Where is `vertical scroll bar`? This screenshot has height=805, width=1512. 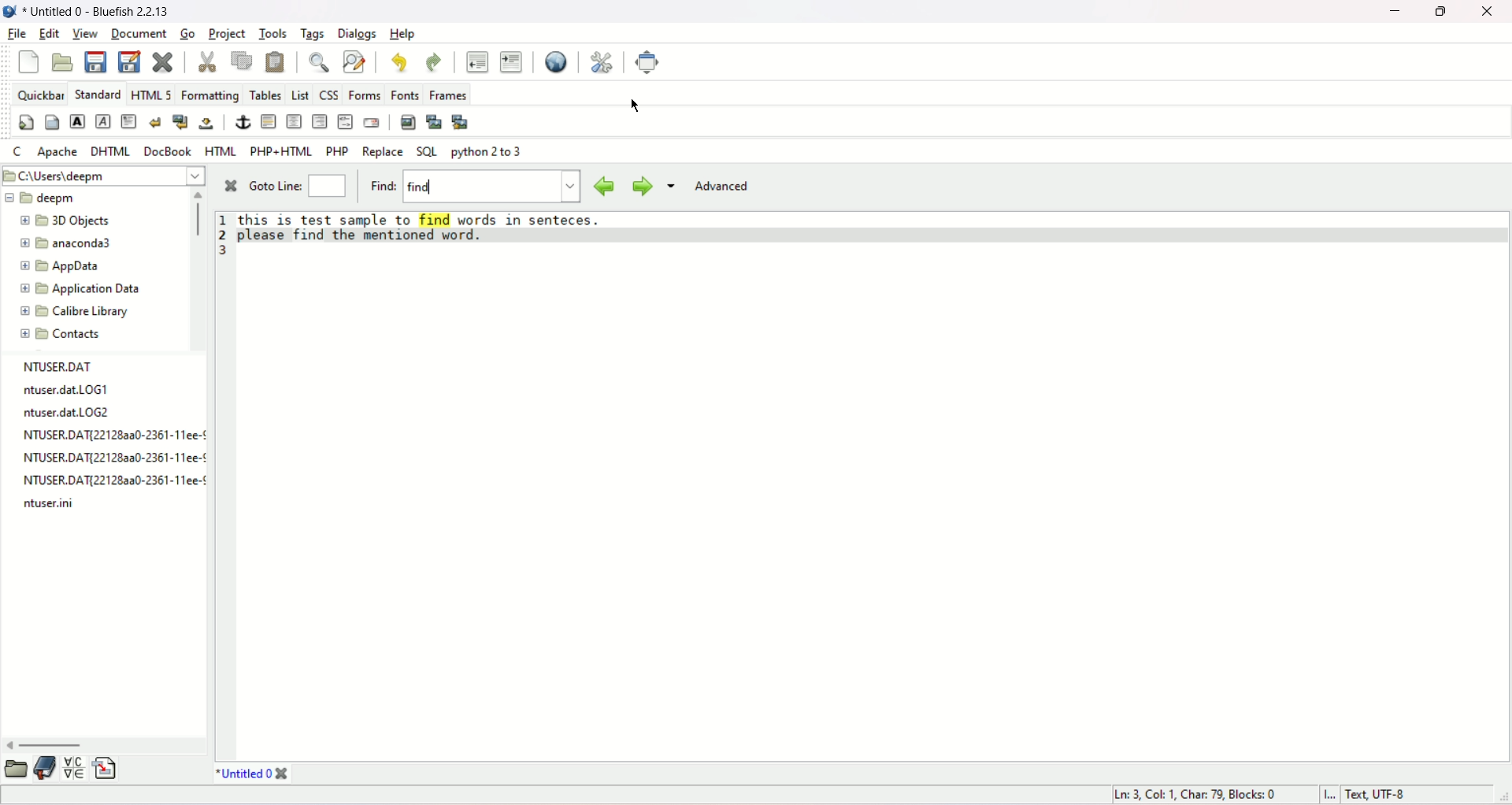
vertical scroll bar is located at coordinates (197, 216).